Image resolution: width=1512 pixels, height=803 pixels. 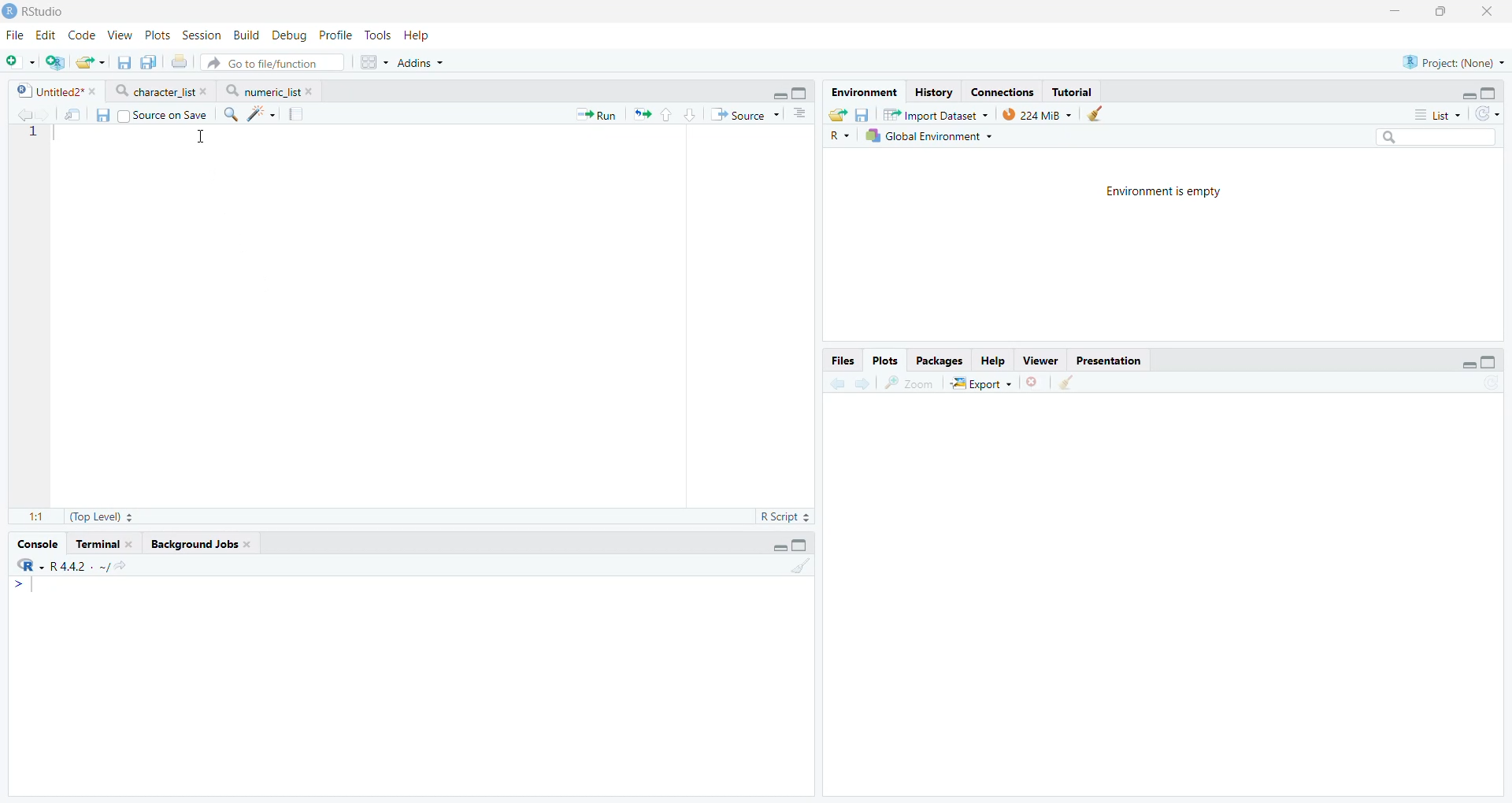 I want to click on Go to next plot, so click(x=865, y=382).